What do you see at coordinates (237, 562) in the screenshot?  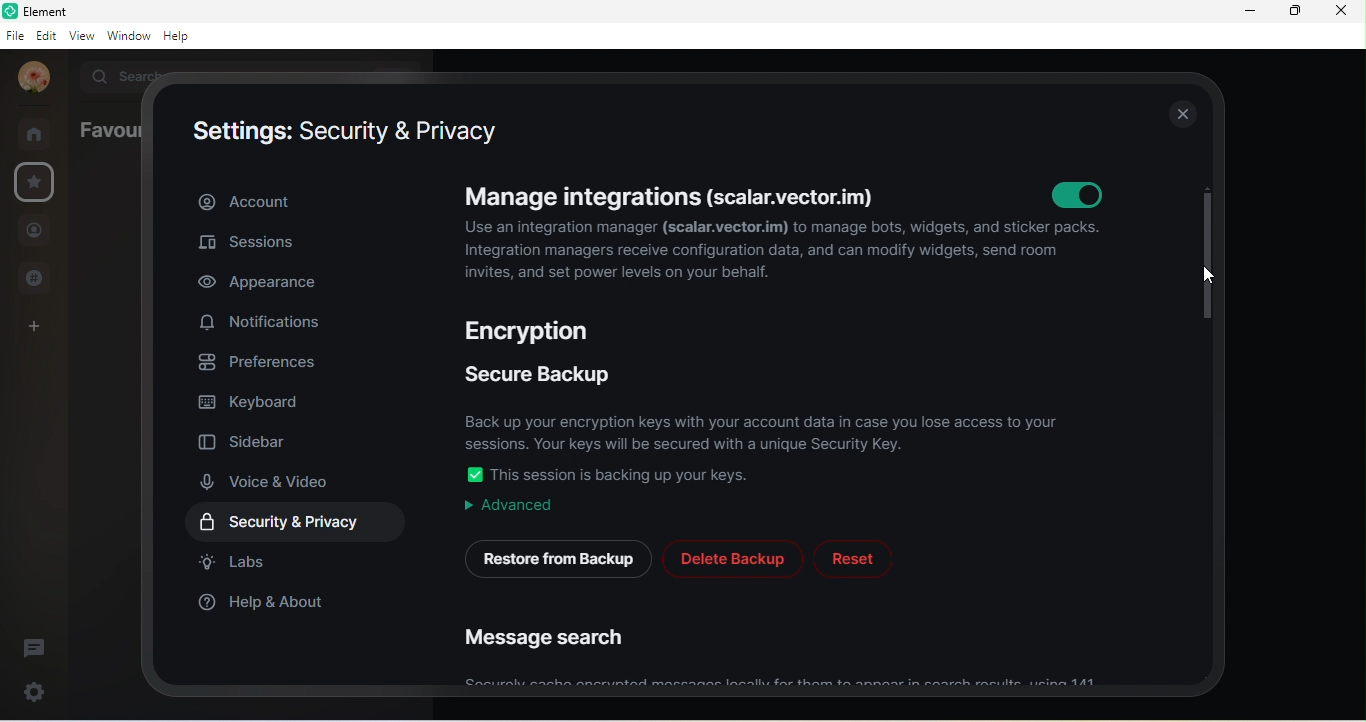 I see `labs` at bounding box center [237, 562].